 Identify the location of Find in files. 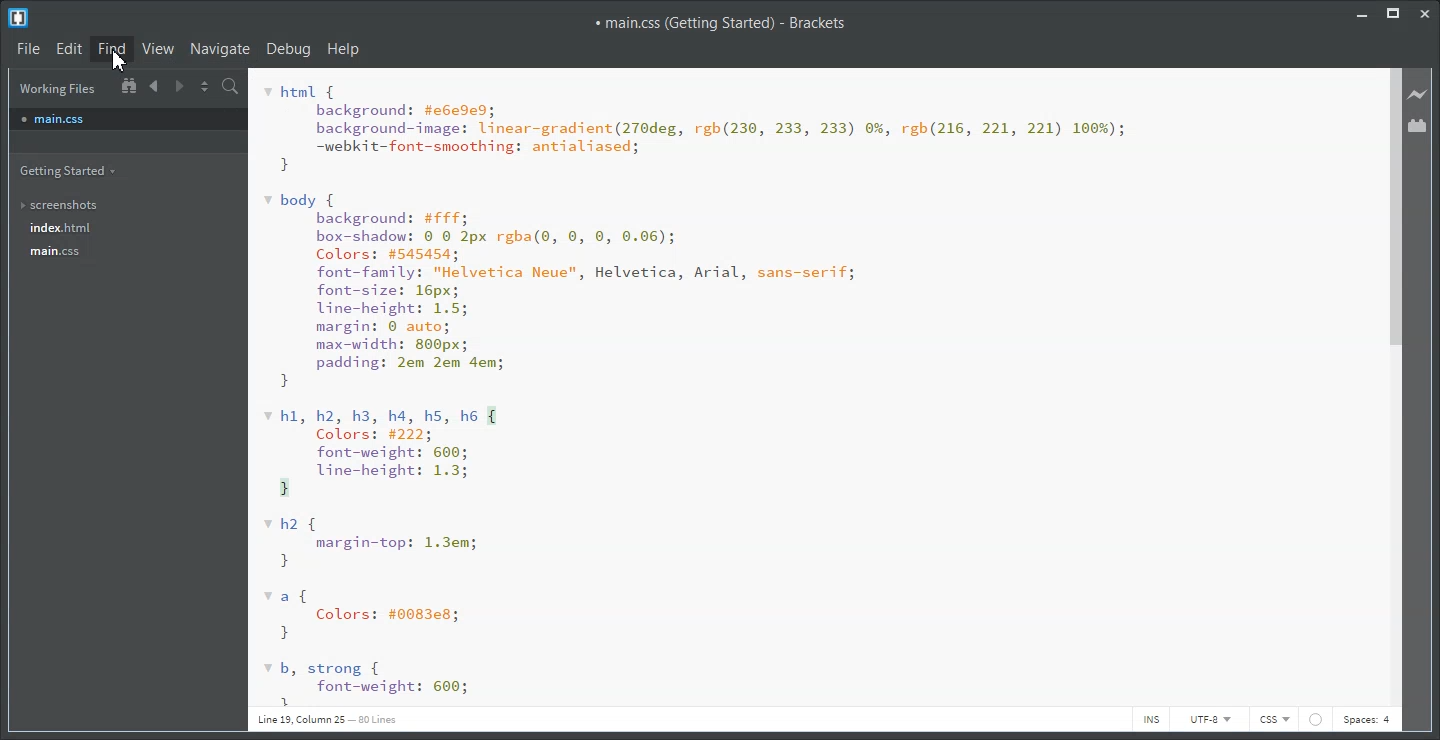
(232, 86).